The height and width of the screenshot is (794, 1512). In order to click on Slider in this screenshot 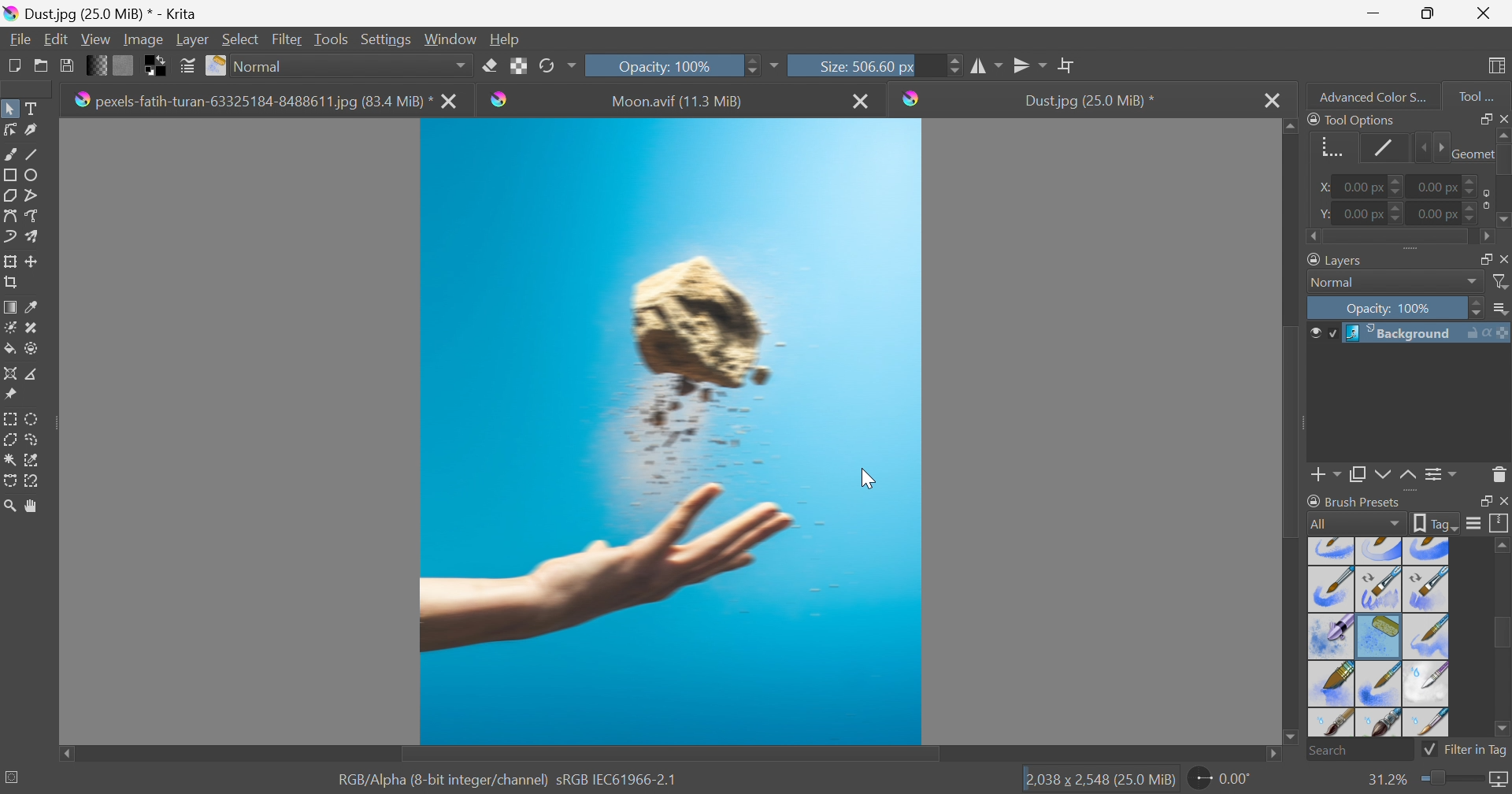, I will do `click(1472, 181)`.